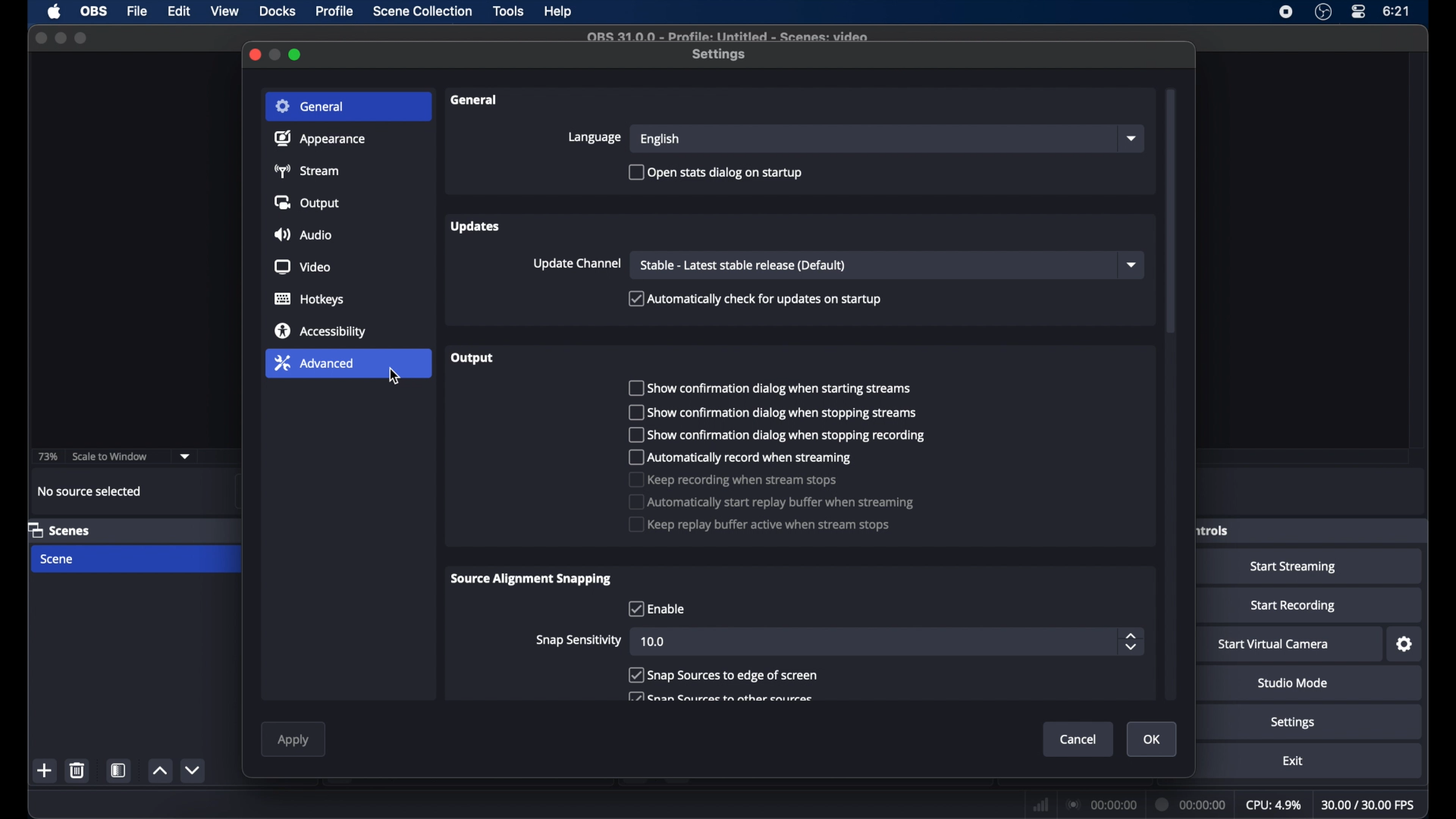 Image resolution: width=1456 pixels, height=819 pixels. I want to click on control center, so click(1357, 12).